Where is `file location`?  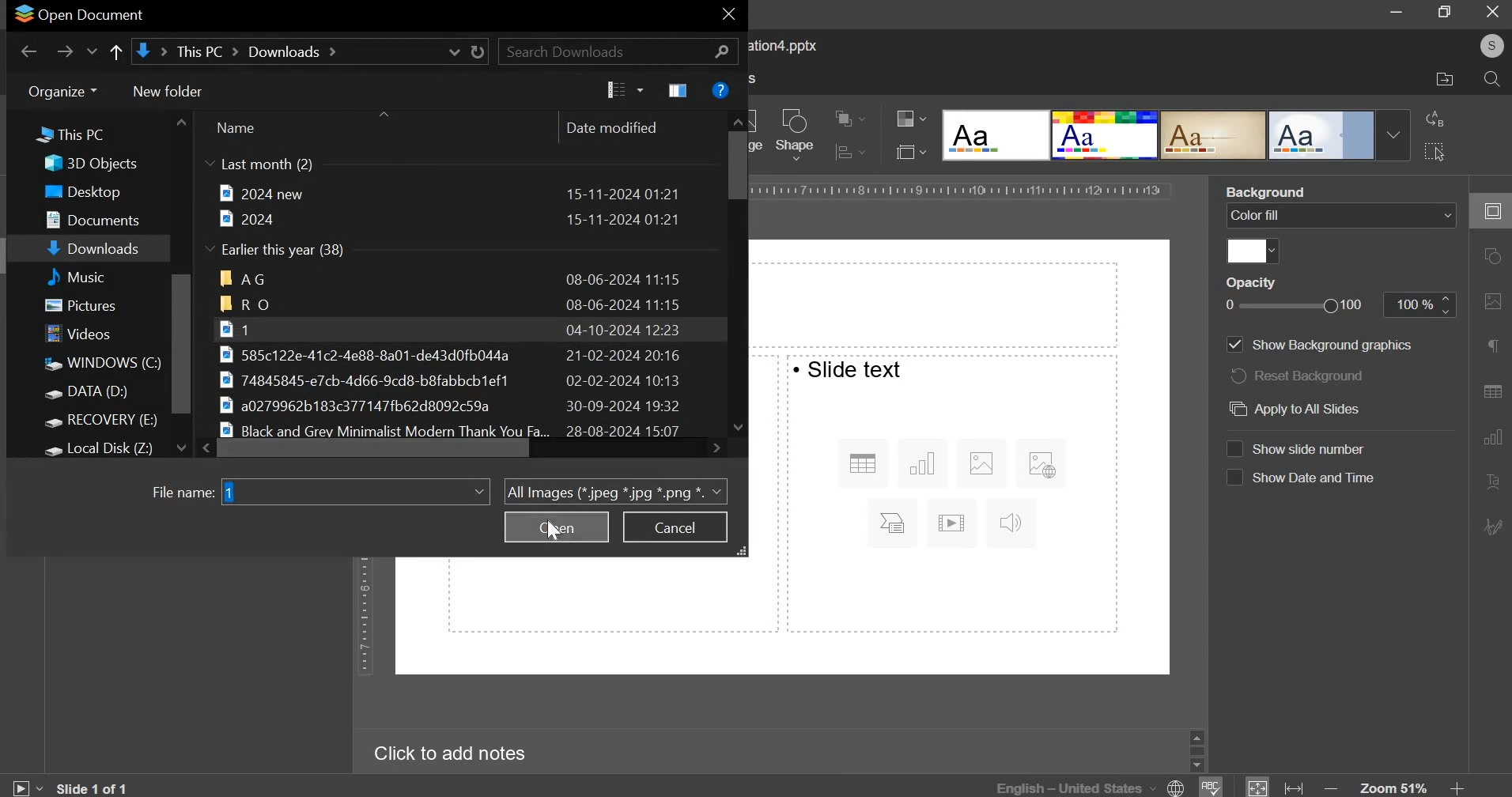 file location is located at coordinates (308, 51).